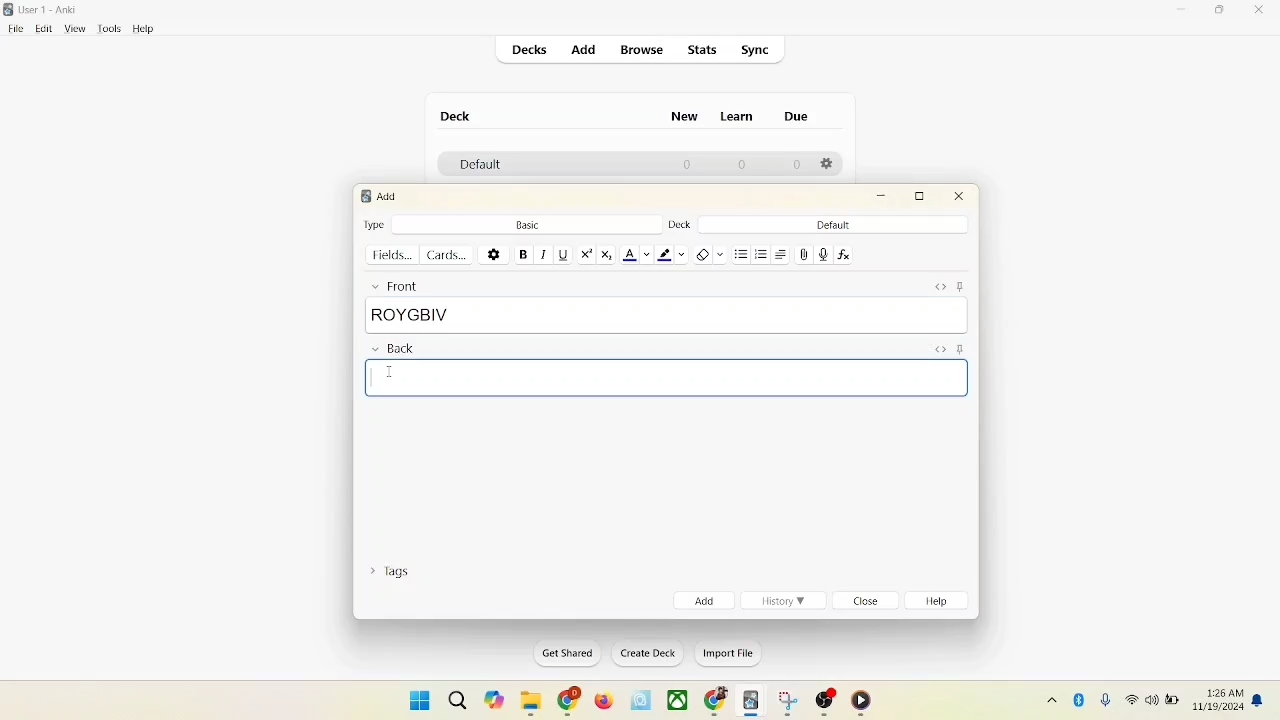 The height and width of the screenshot is (720, 1280). I want to click on italics, so click(542, 255).